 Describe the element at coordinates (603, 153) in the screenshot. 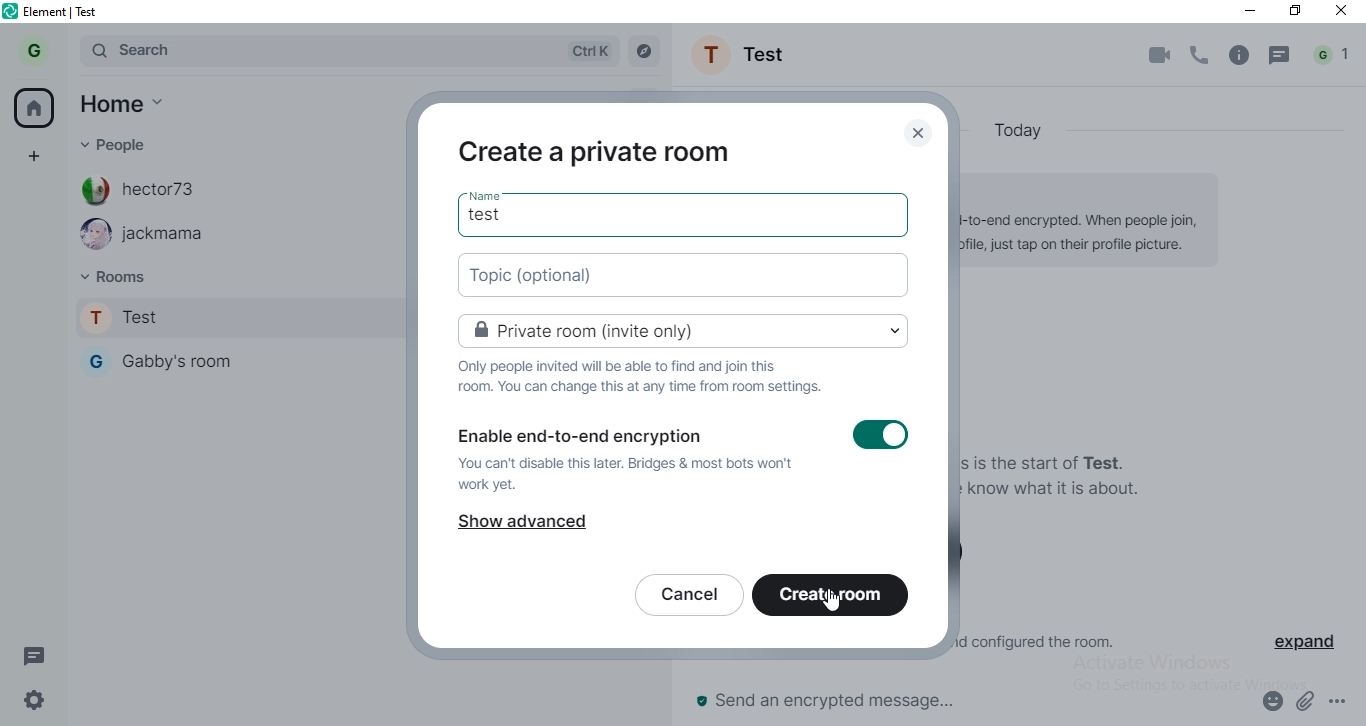

I see `create a private room` at that location.